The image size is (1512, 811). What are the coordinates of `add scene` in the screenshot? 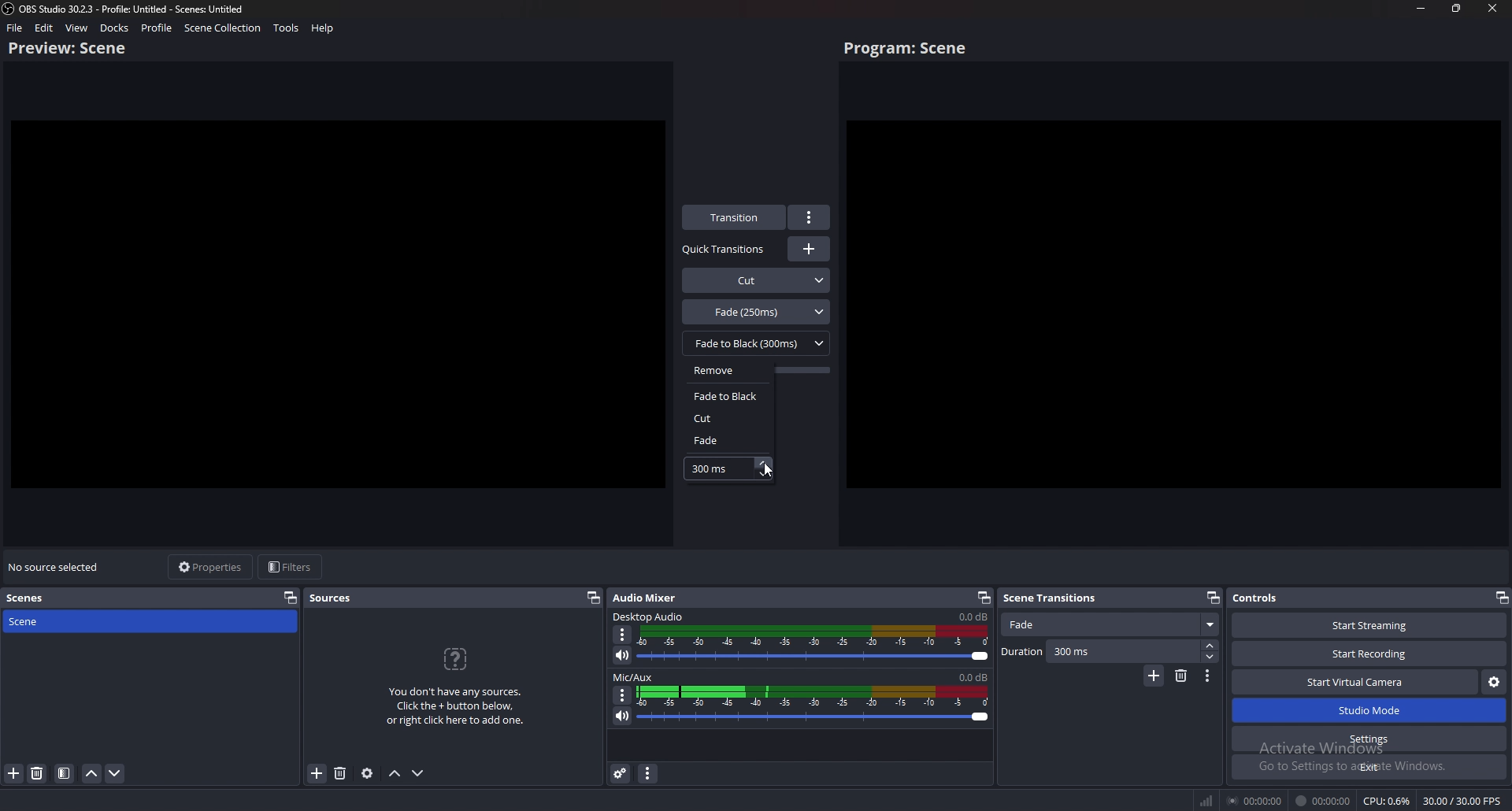 It's located at (13, 773).